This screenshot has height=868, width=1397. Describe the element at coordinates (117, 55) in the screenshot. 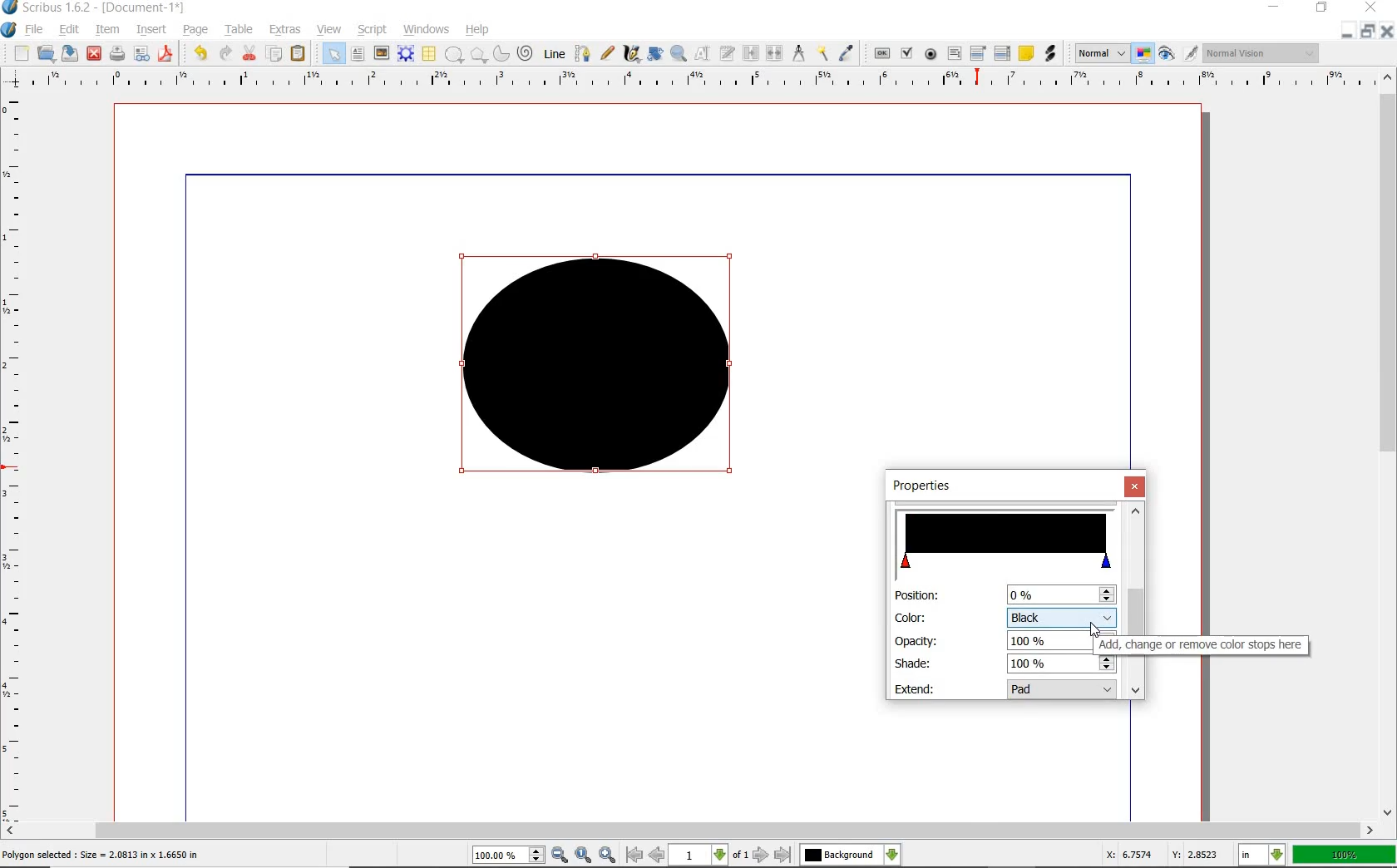

I see `PRINT` at that location.